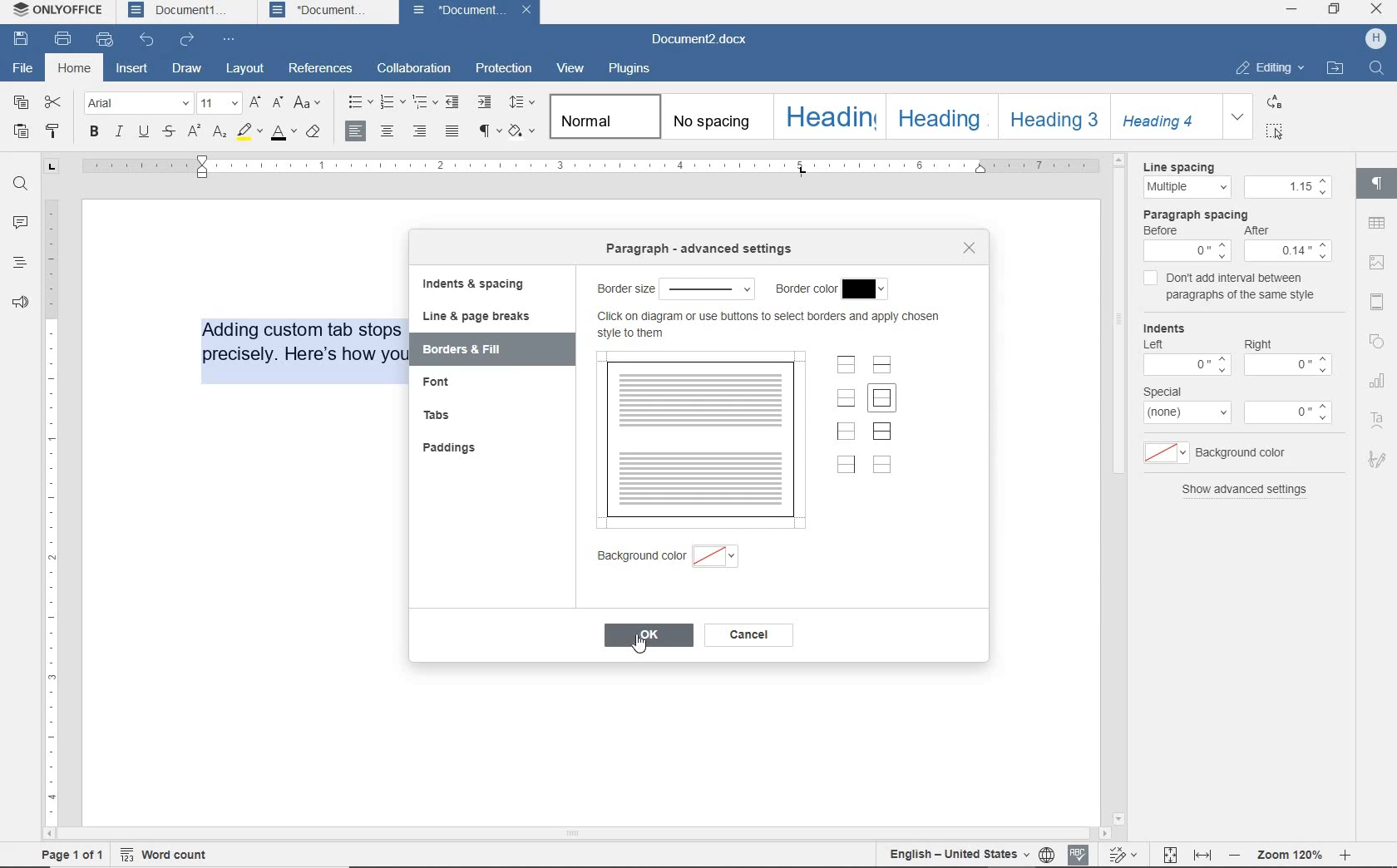 This screenshot has height=868, width=1397. What do you see at coordinates (704, 40) in the screenshot?
I see `document name` at bounding box center [704, 40].